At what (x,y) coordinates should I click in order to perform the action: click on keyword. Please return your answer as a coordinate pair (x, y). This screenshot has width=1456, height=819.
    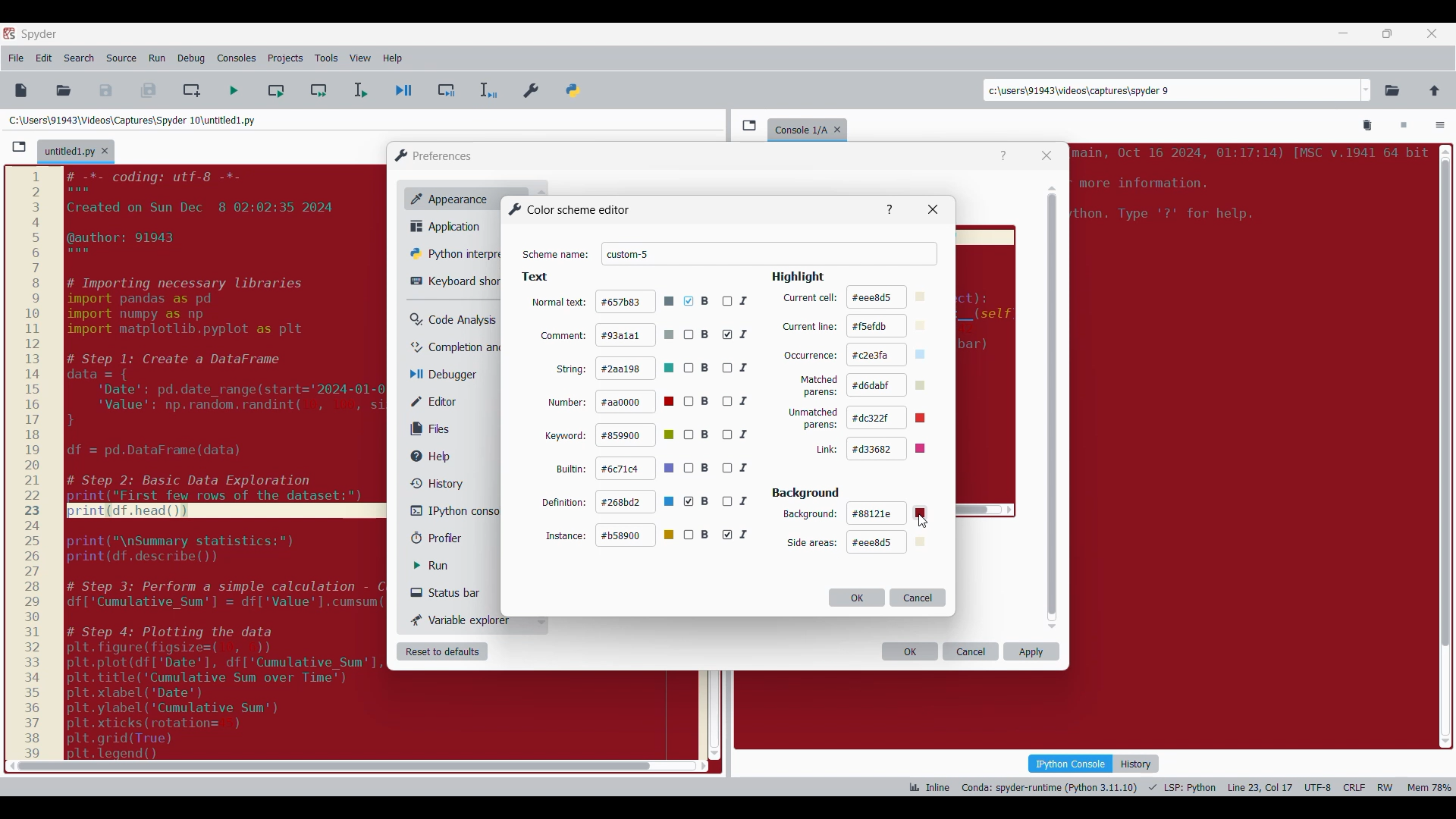
    Looking at the image, I should click on (566, 437).